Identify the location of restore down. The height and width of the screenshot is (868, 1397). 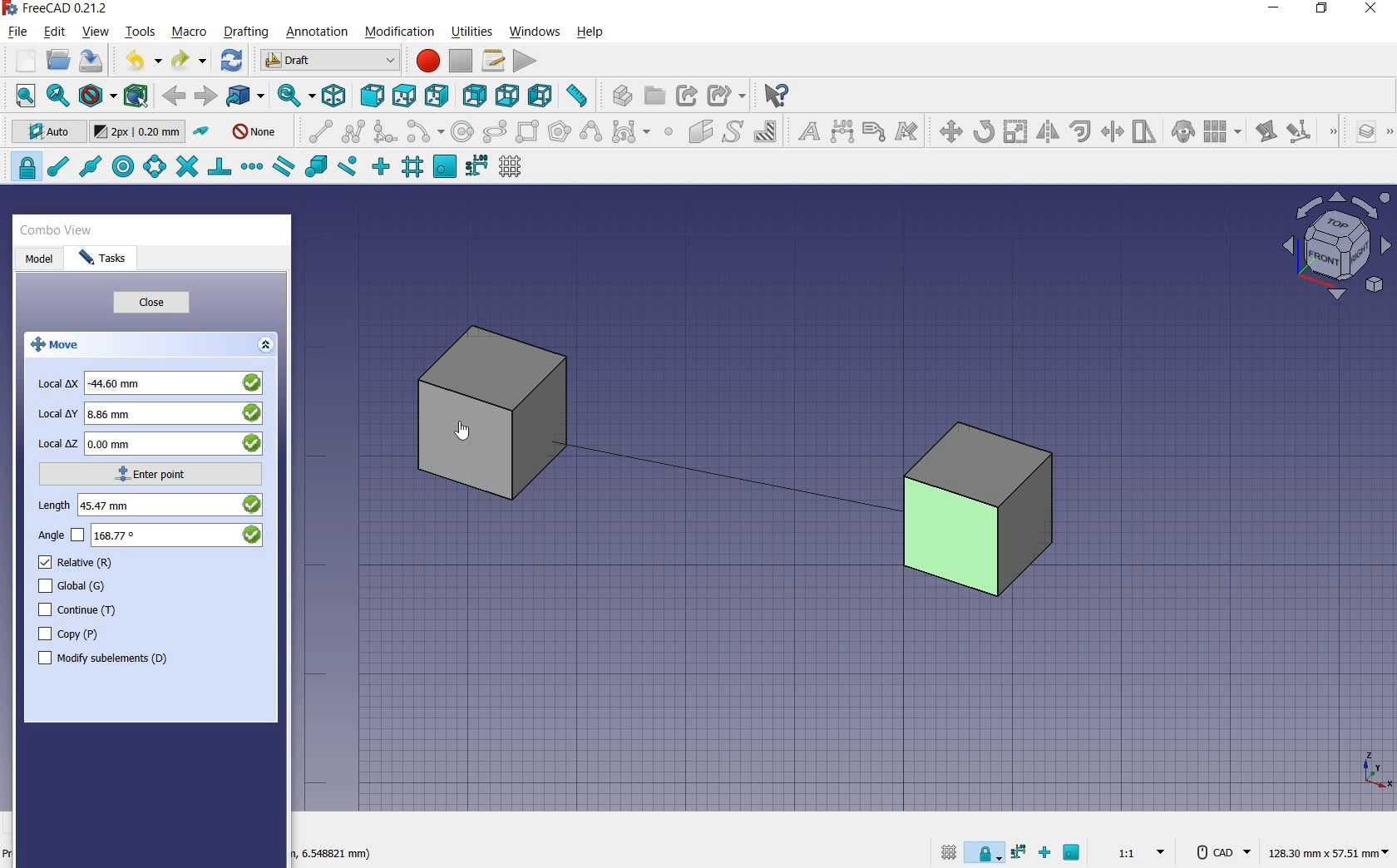
(1324, 10).